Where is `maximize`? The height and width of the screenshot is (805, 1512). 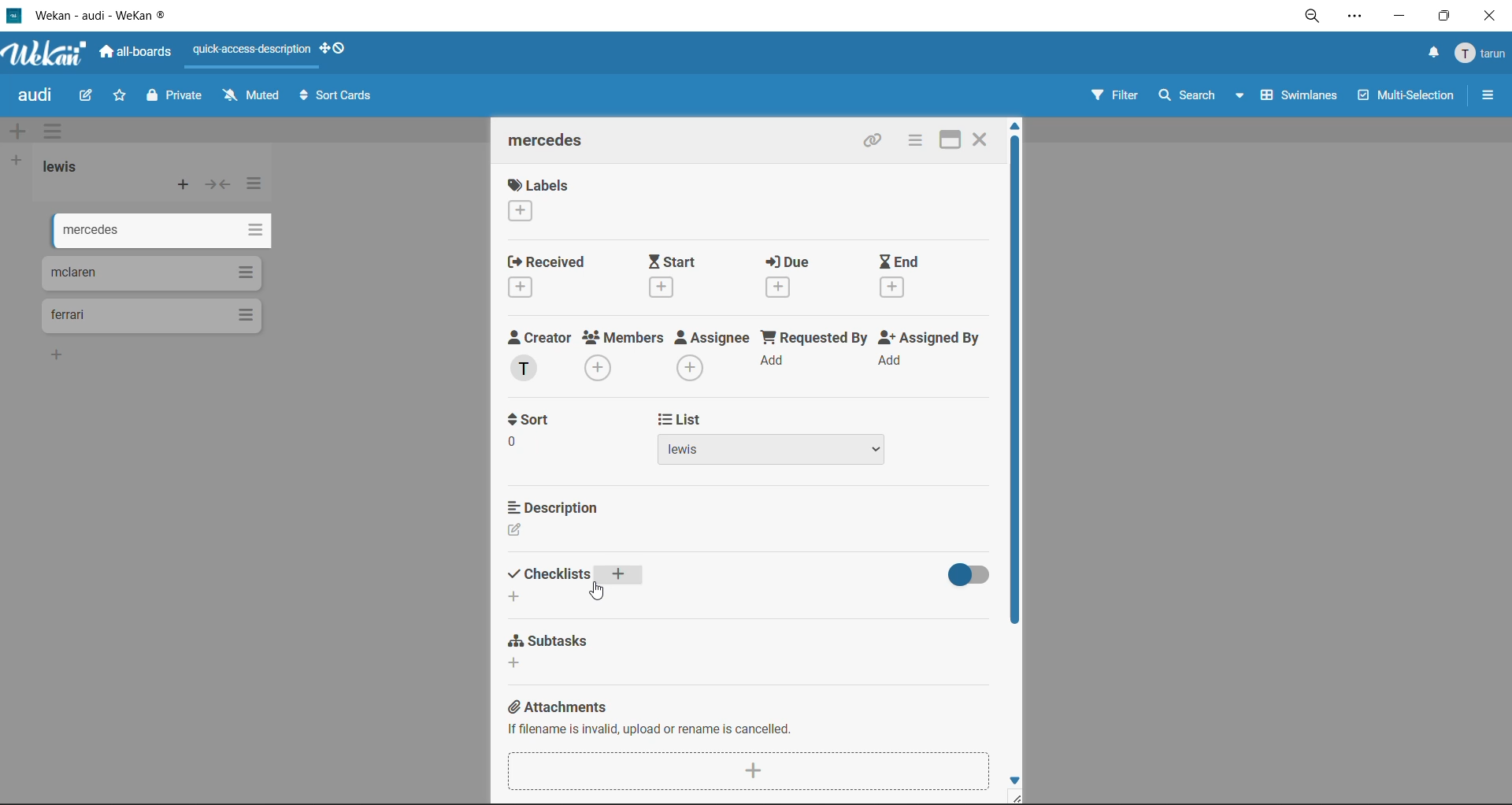
maximize is located at coordinates (943, 139).